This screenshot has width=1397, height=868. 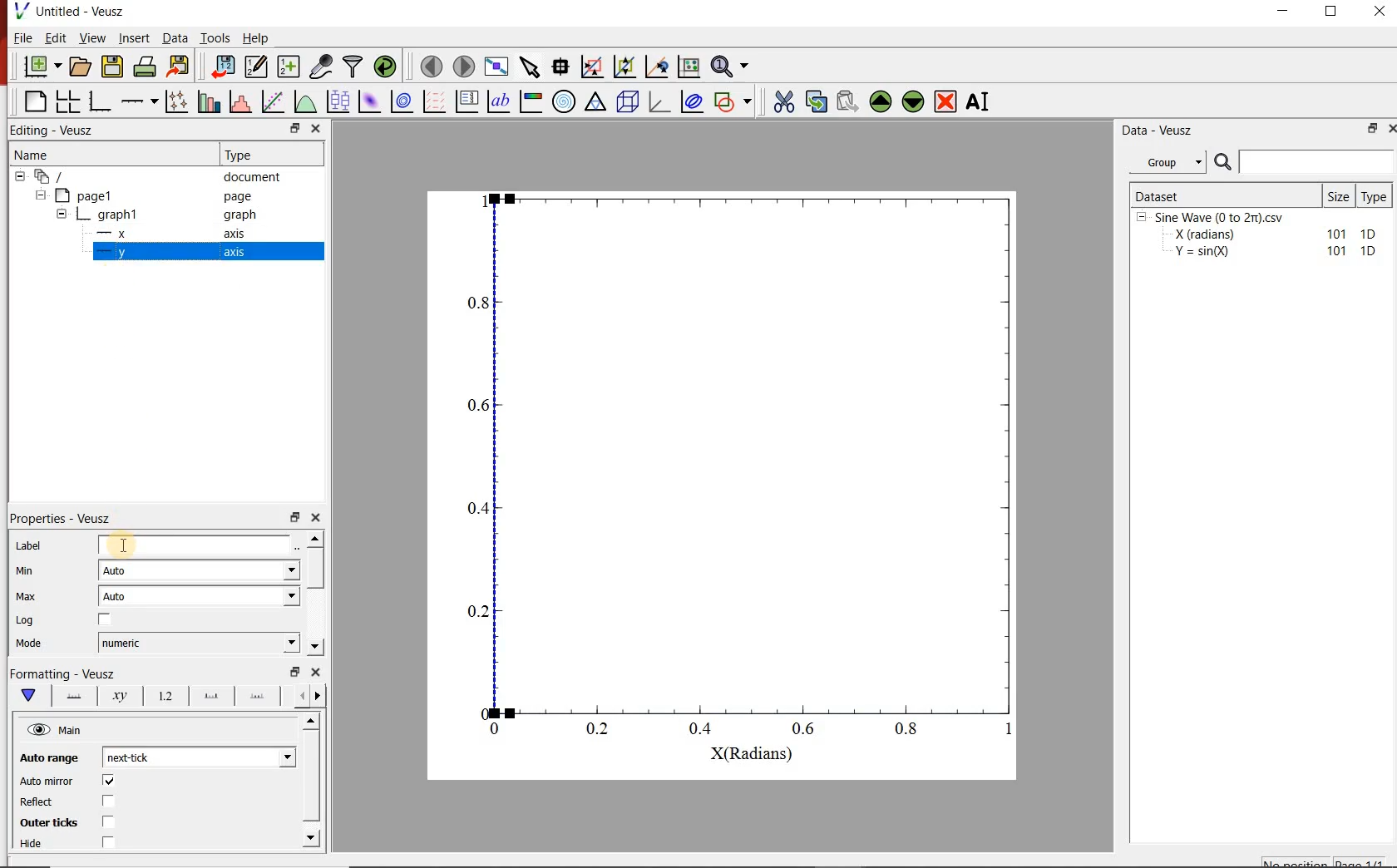 I want to click on Sine Wave (0 to 2m).csvX (radians) 101 1DY =sin(Q) 101 1D, so click(x=1258, y=239).